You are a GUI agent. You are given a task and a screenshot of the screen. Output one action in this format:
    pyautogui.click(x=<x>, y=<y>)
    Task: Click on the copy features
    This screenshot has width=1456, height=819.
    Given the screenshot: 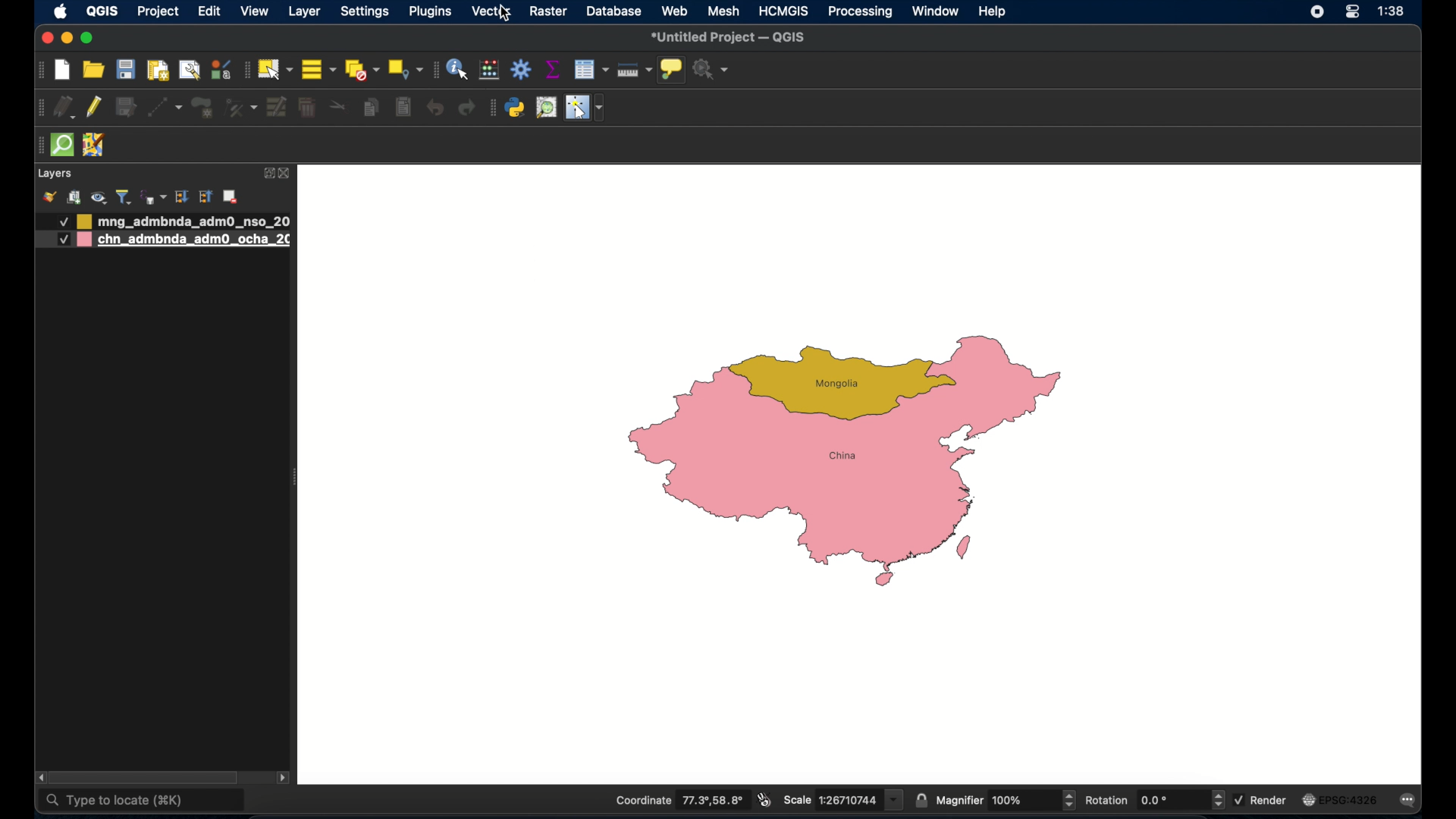 What is the action you would take?
    pyautogui.click(x=372, y=110)
    